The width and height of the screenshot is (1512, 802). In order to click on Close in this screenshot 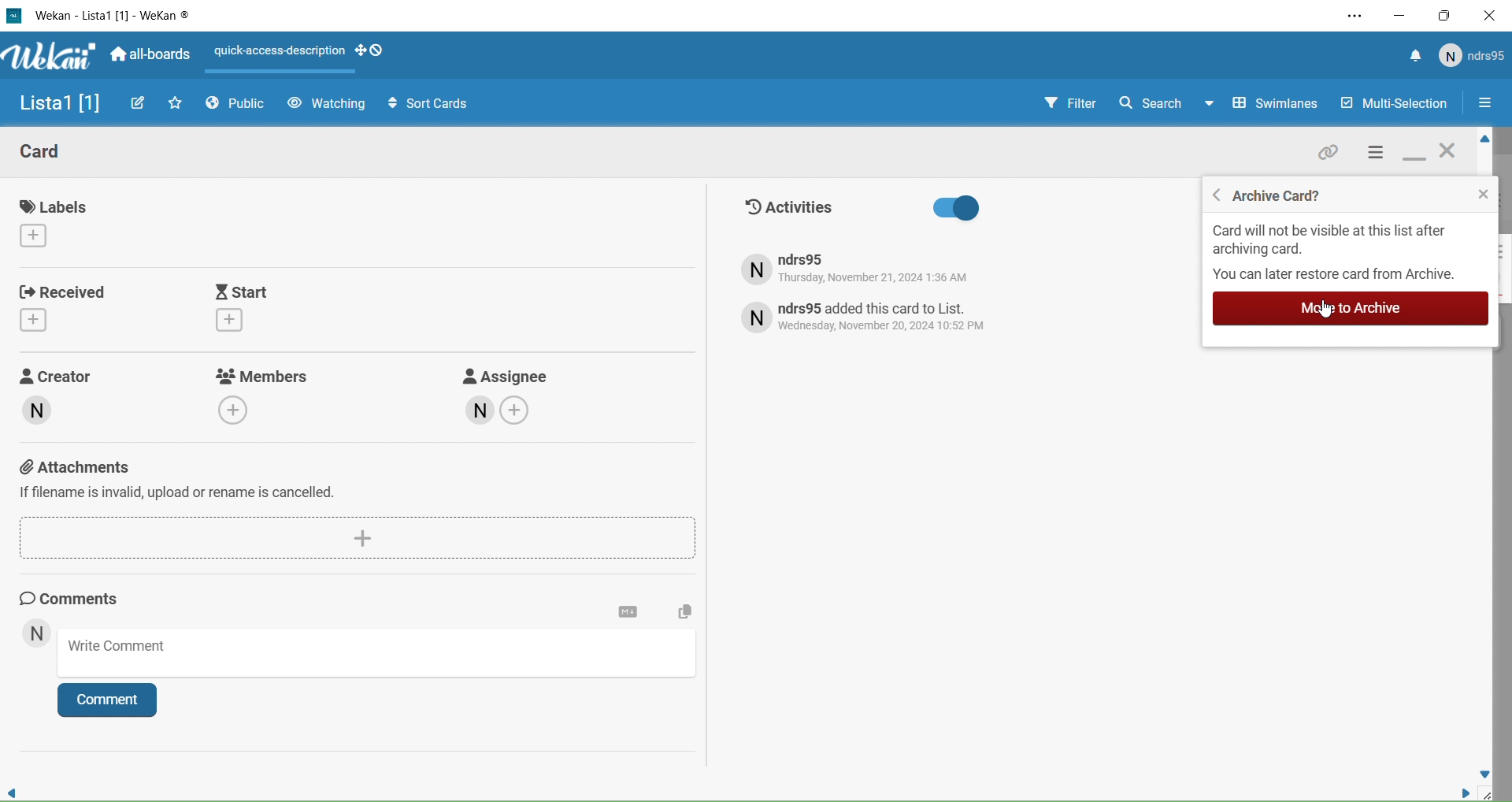, I will do `click(1447, 158)`.